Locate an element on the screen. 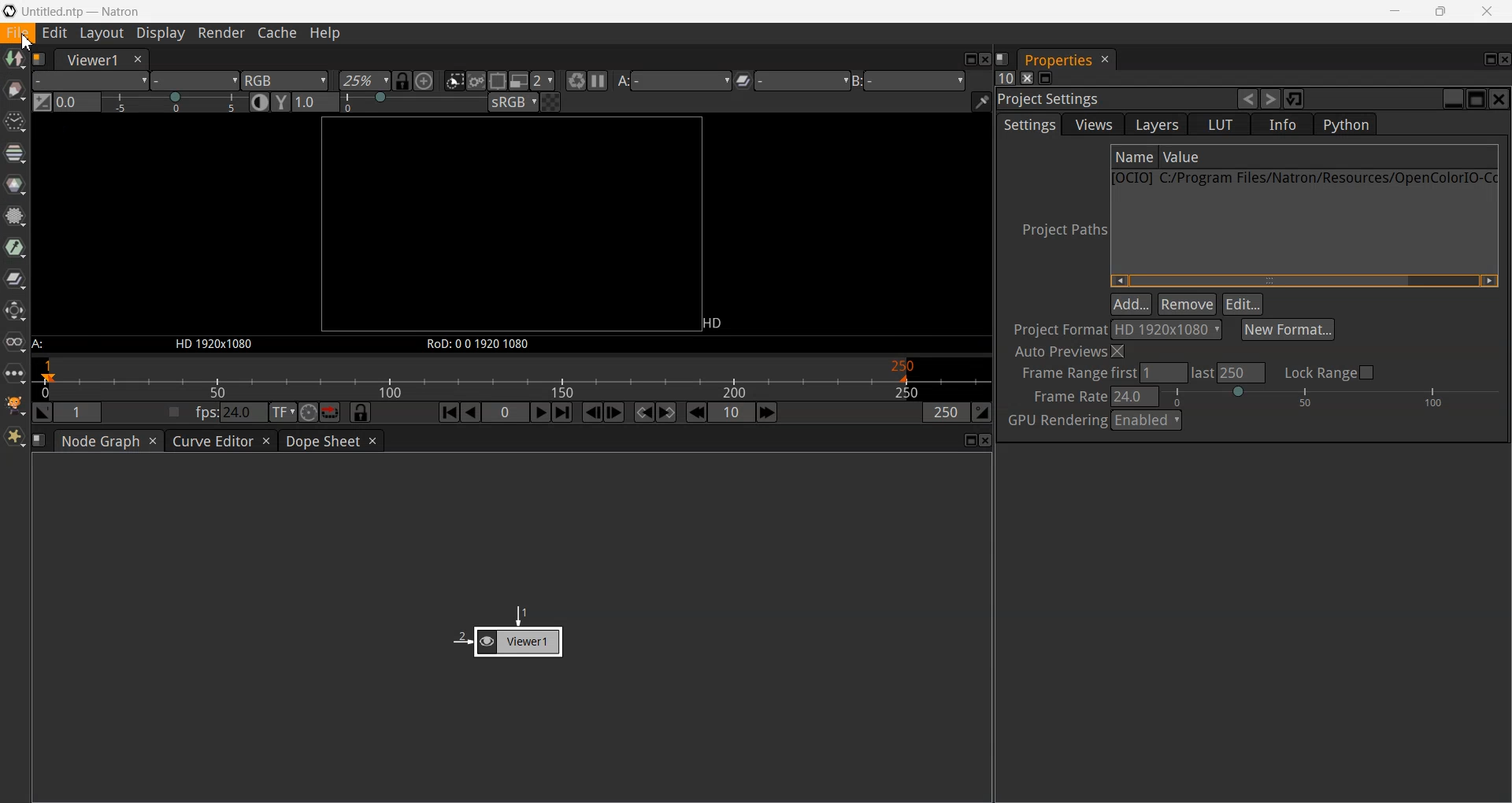 This screenshot has width=1512, height=803. Pause Updates is located at coordinates (597, 80).